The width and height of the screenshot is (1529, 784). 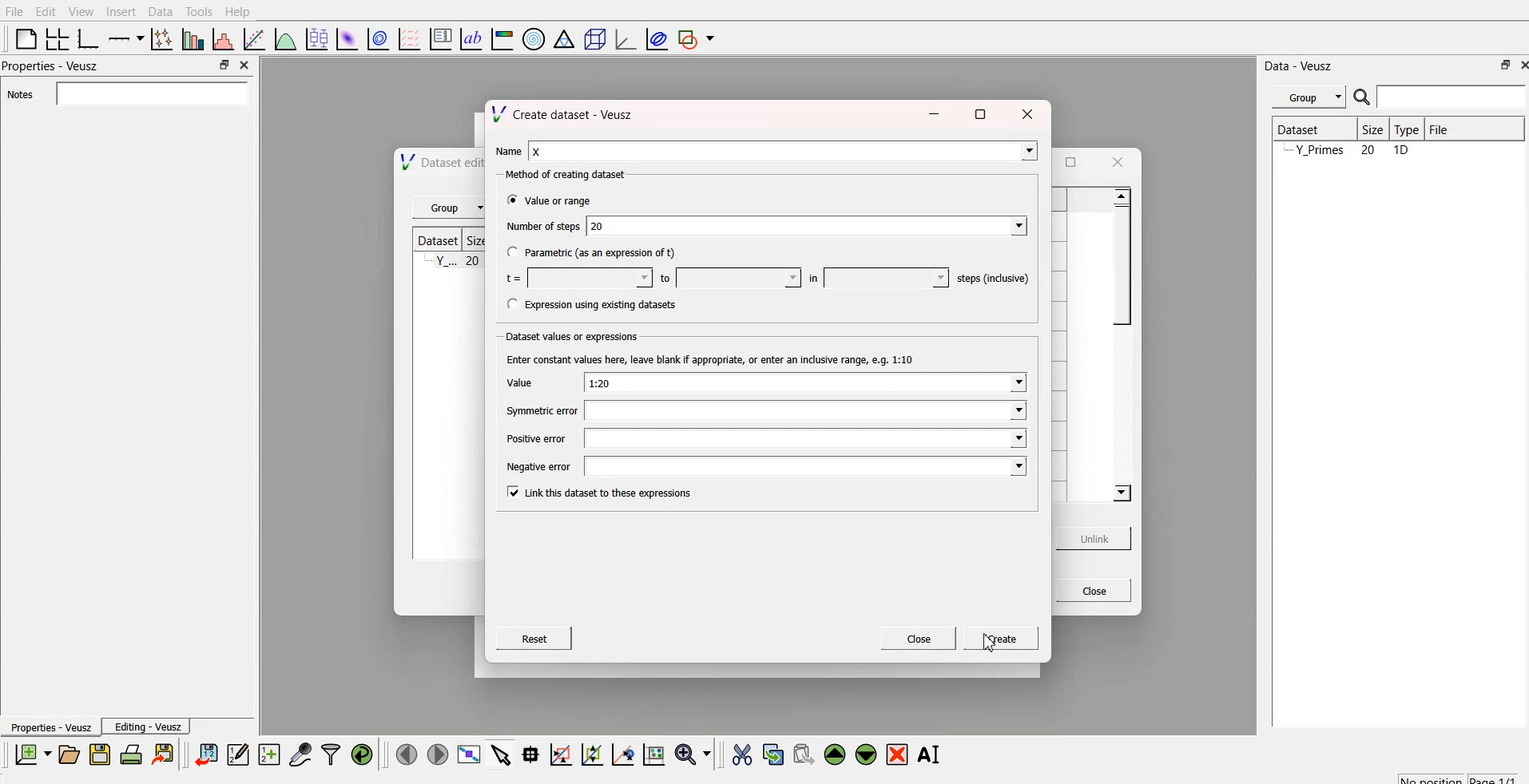 What do you see at coordinates (158, 38) in the screenshot?
I see `plot points` at bounding box center [158, 38].